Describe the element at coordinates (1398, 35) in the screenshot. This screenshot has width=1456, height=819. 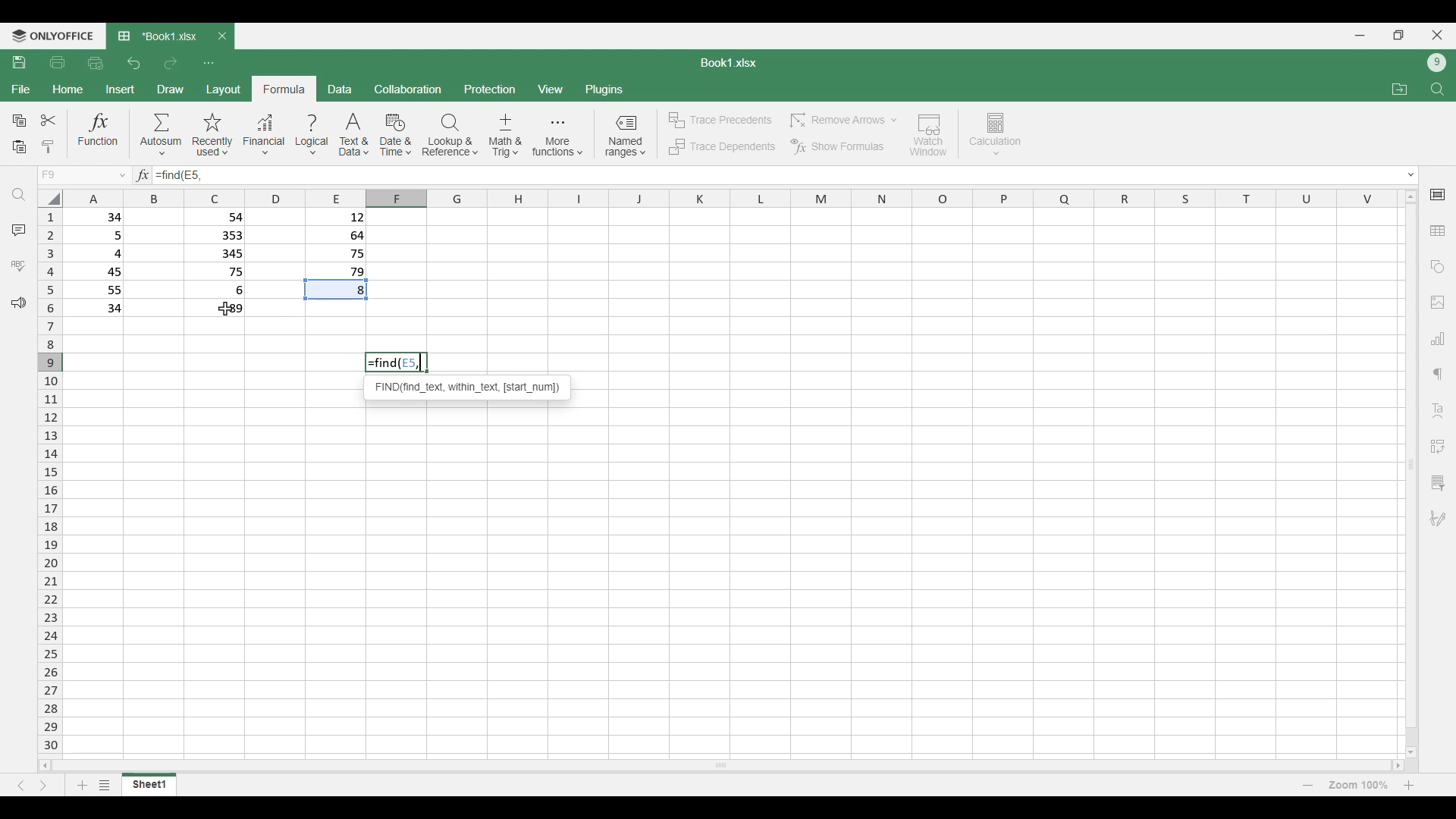
I see `Show in smaller tab` at that location.